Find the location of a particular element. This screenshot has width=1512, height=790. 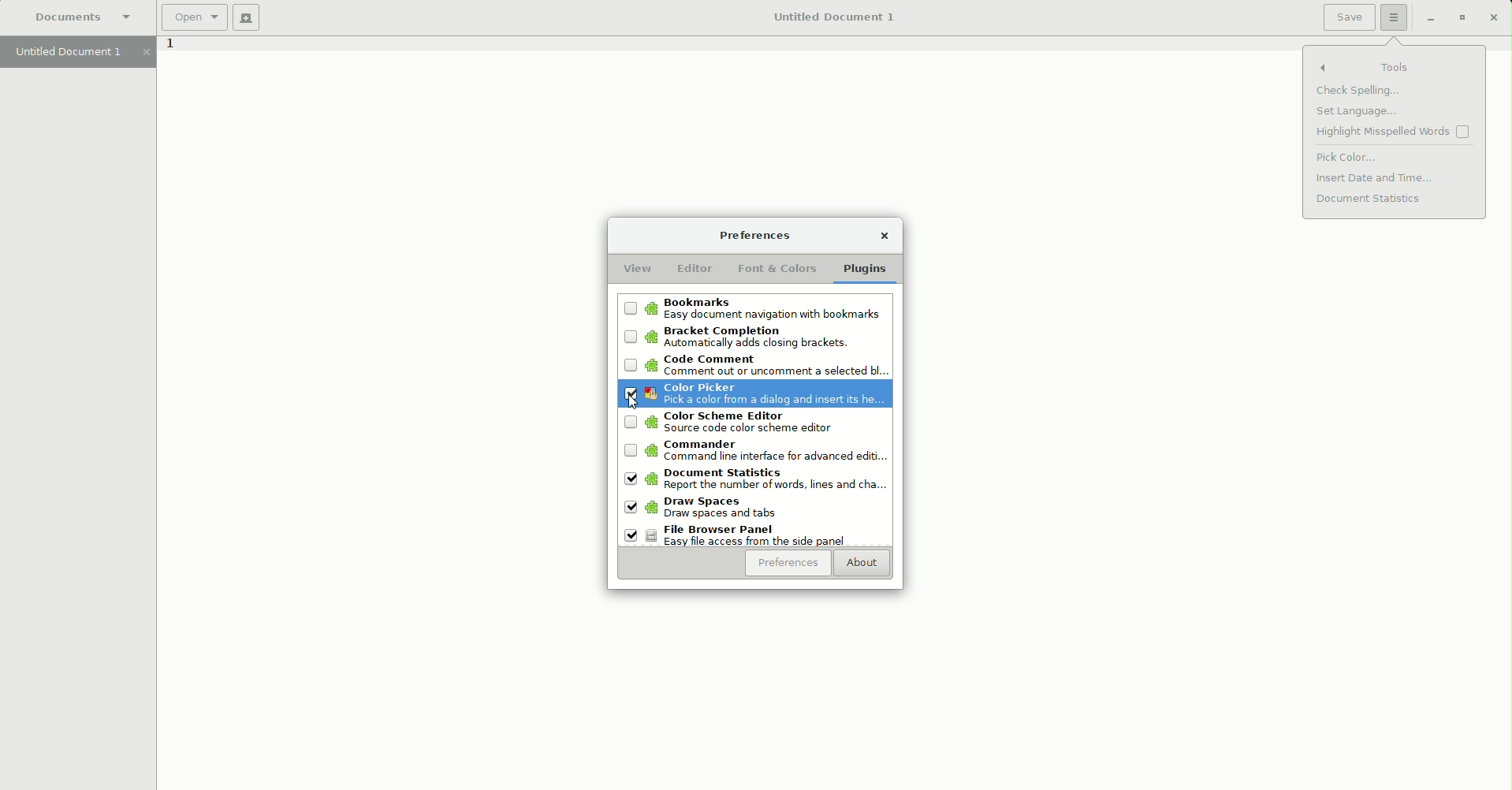

Code Picker: Pick a color from a dialog and insert its he.. is located at coordinates (758, 396).